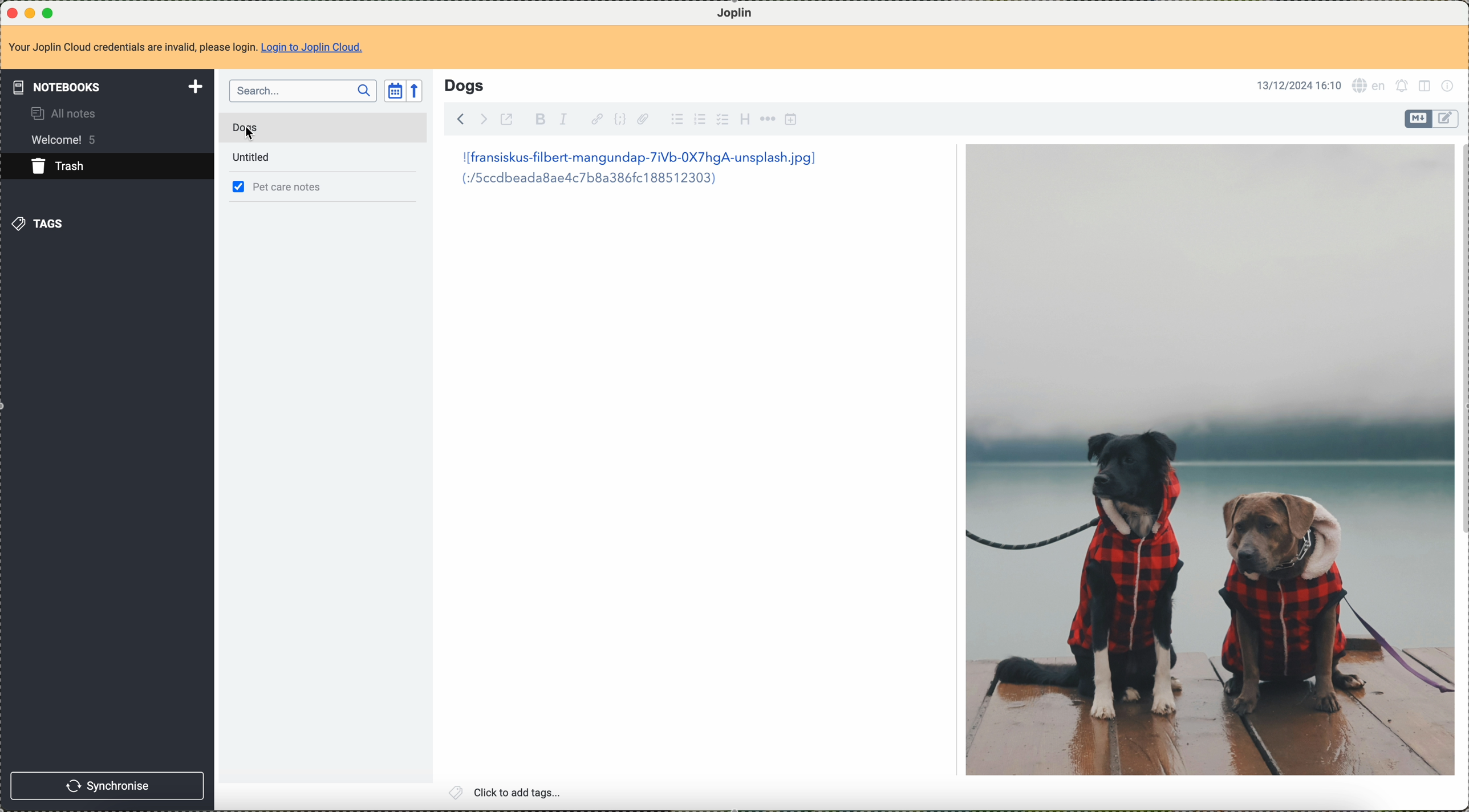 This screenshot has width=1469, height=812. What do you see at coordinates (68, 140) in the screenshot?
I see `welcome` at bounding box center [68, 140].